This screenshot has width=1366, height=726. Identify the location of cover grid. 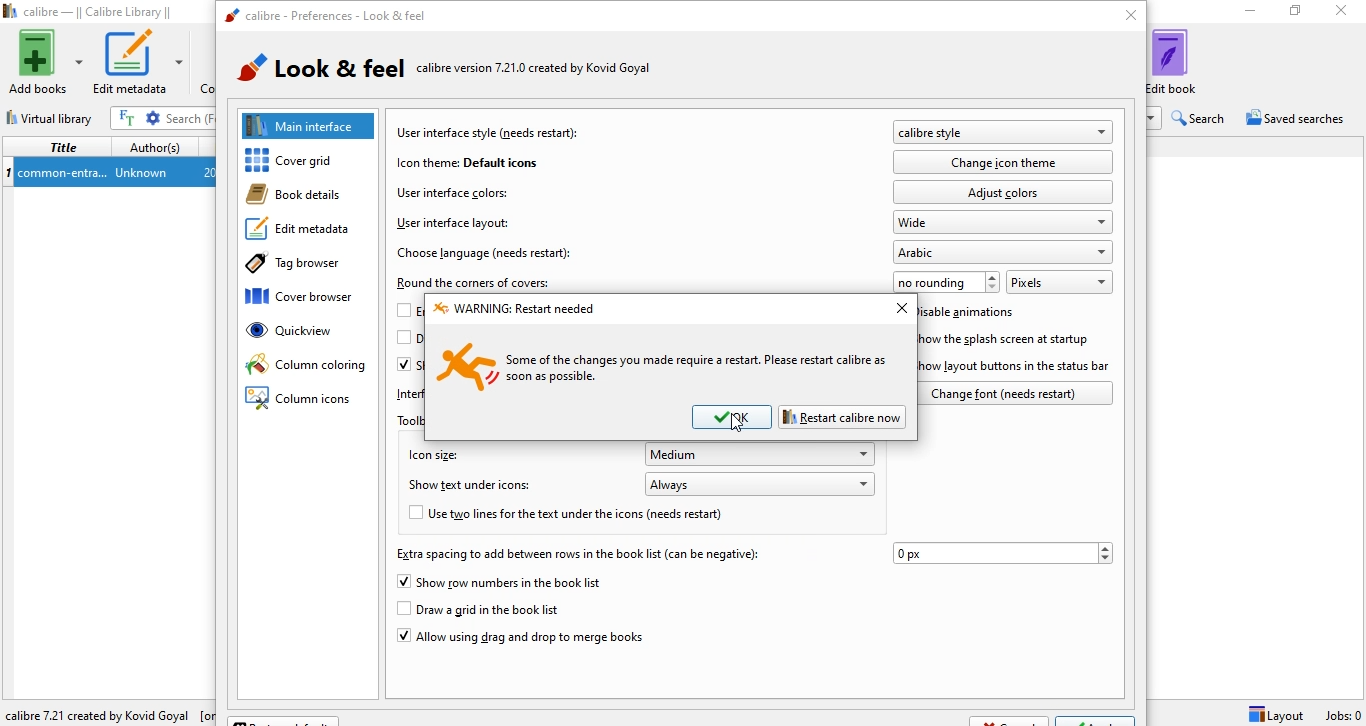
(313, 161).